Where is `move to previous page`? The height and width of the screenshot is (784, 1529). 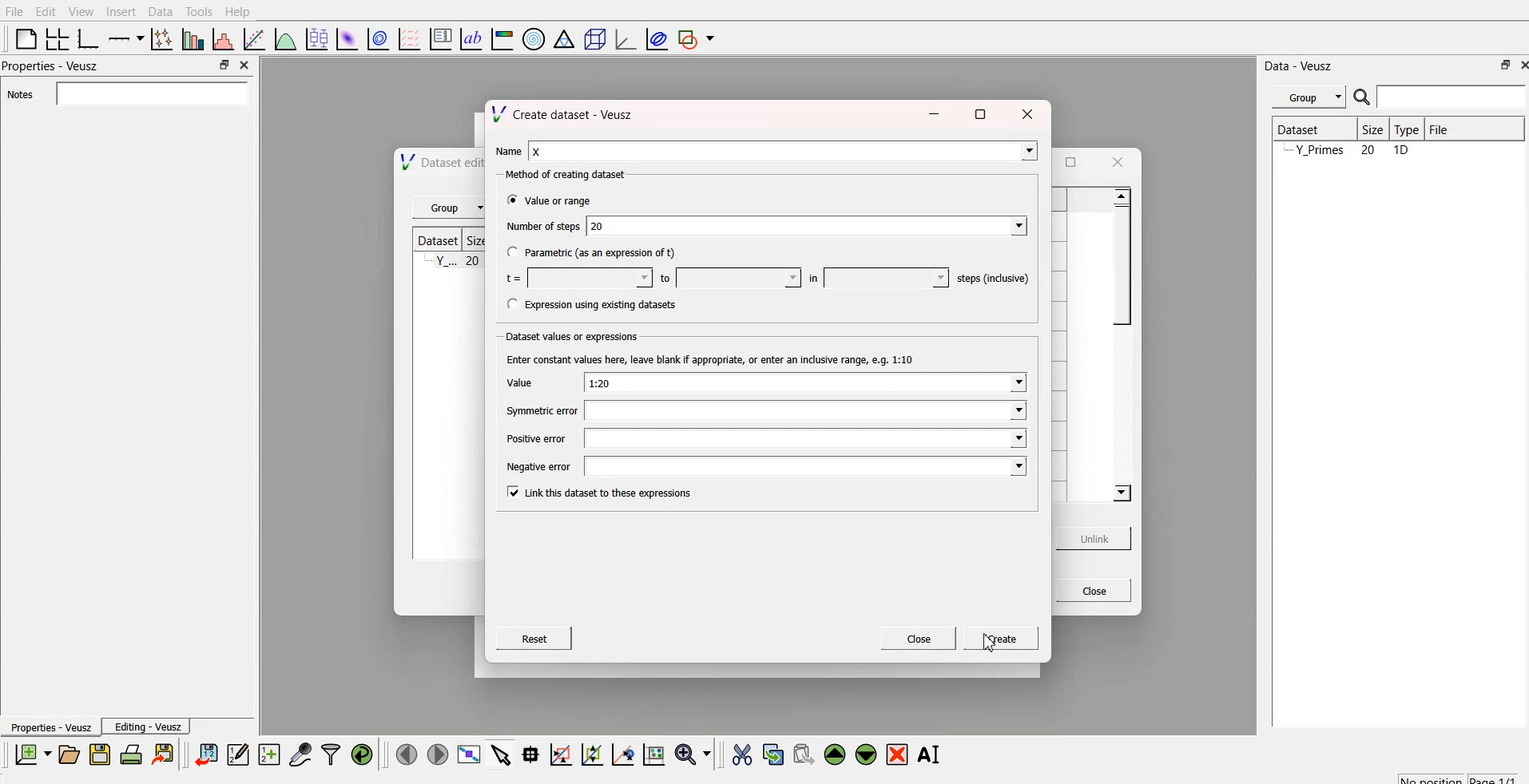
move to previous page is located at coordinates (404, 754).